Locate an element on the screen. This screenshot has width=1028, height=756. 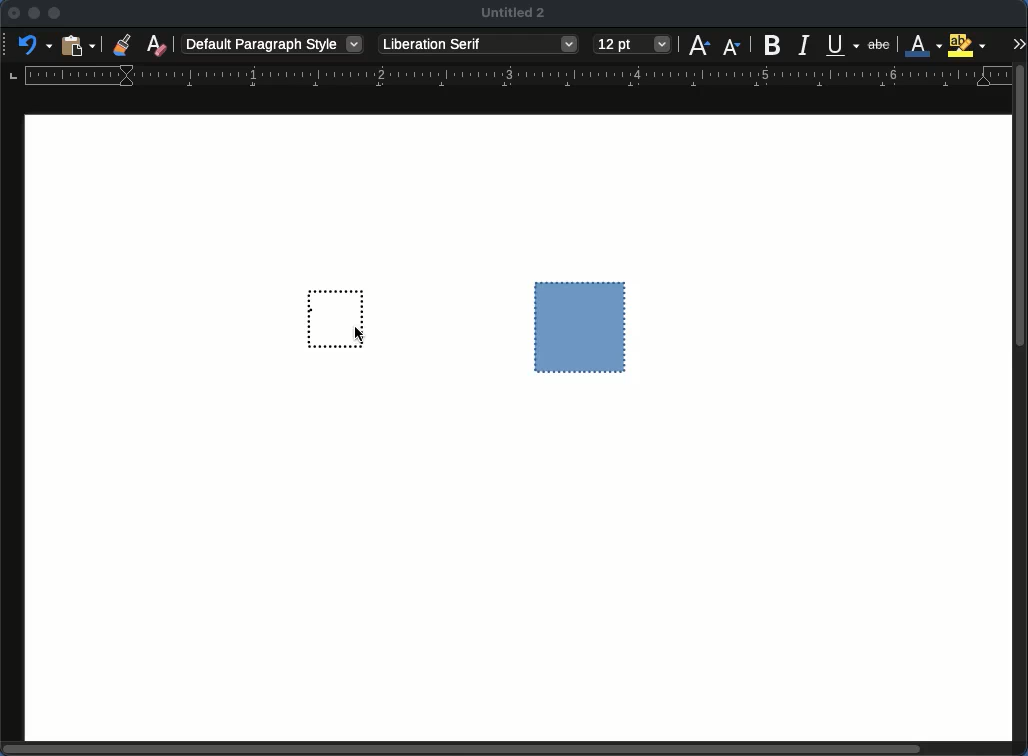
Liberation serif - font is located at coordinates (478, 45).